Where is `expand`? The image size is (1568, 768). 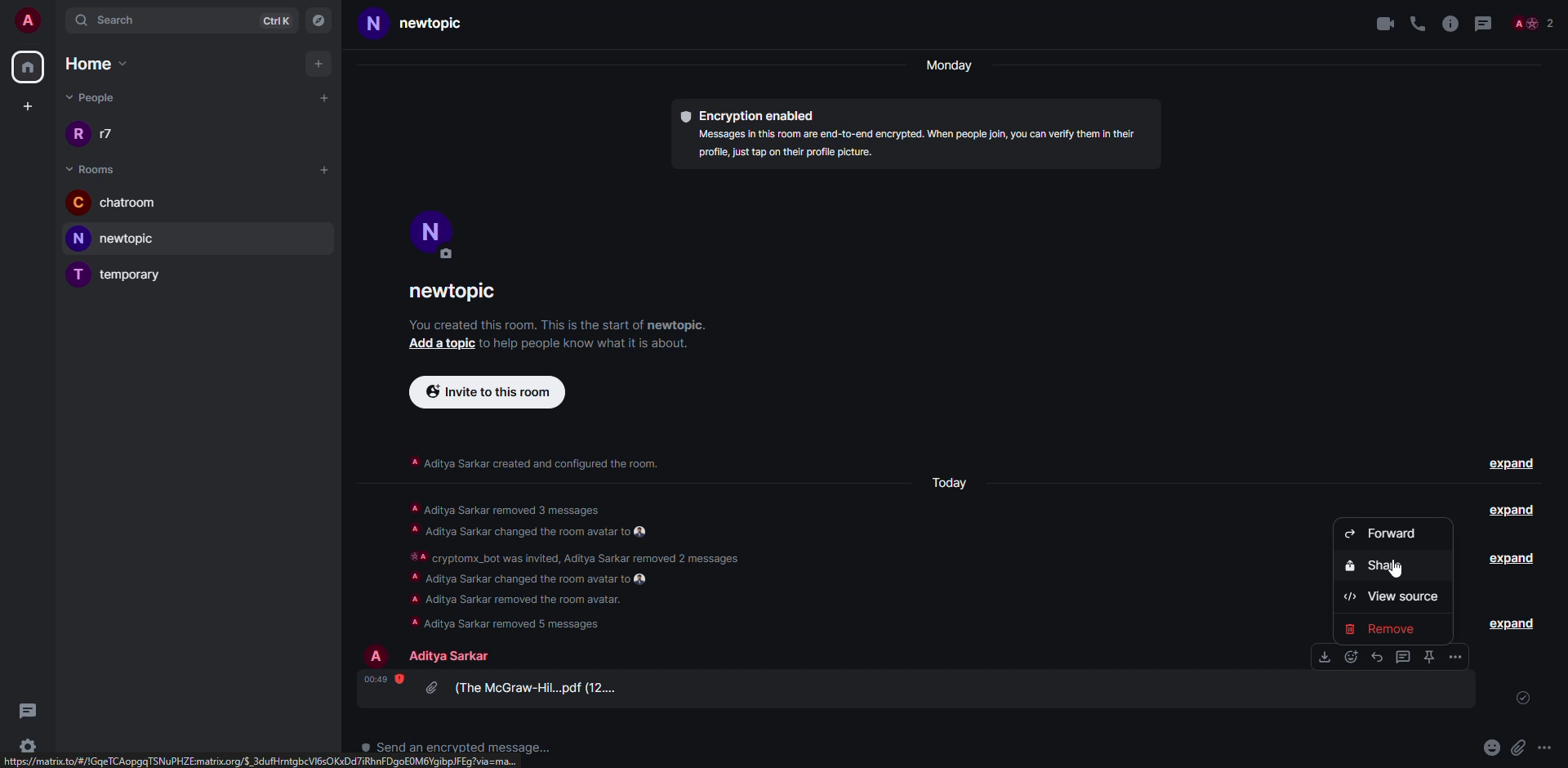 expand is located at coordinates (1507, 557).